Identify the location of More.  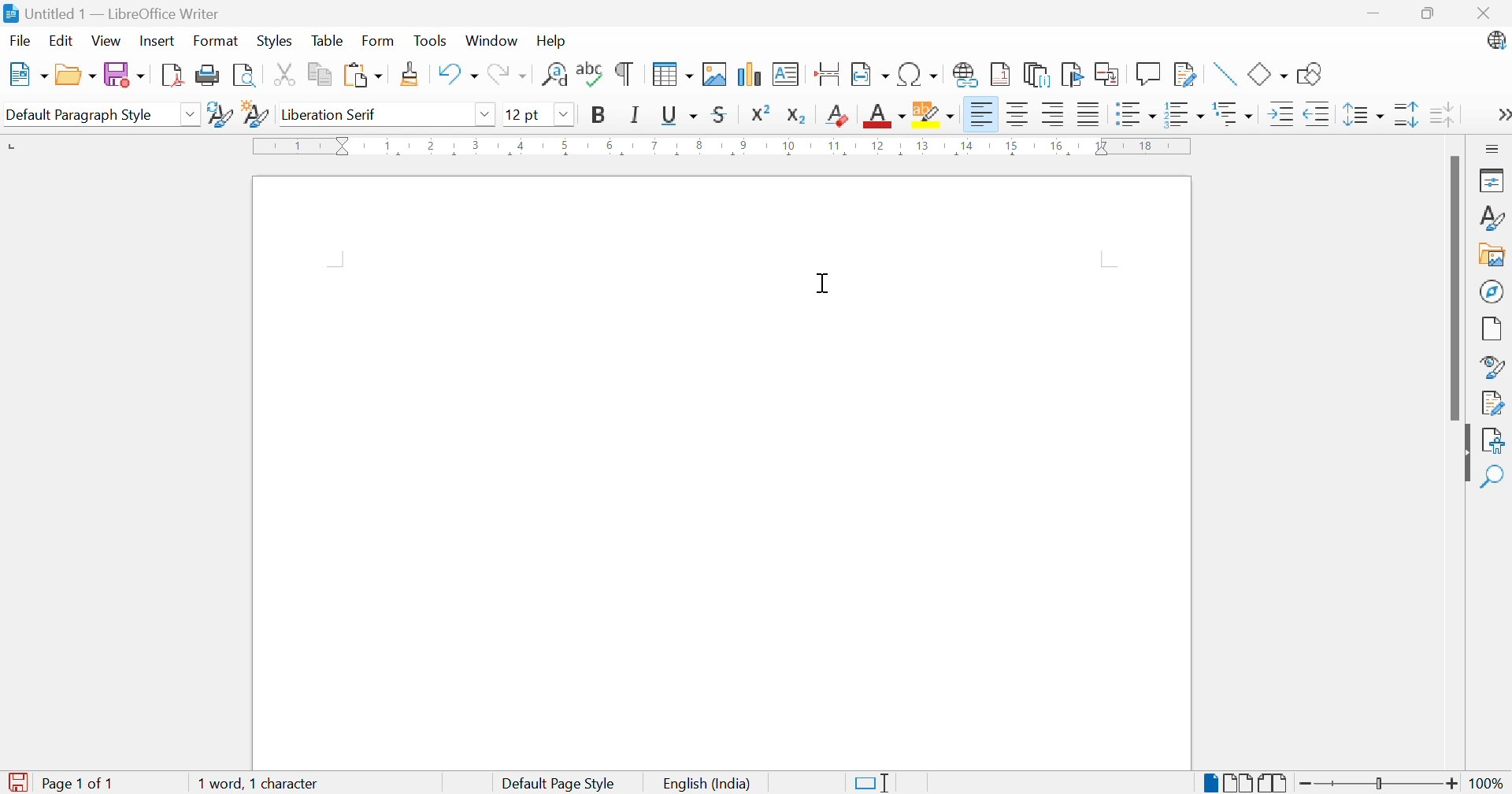
(1501, 114).